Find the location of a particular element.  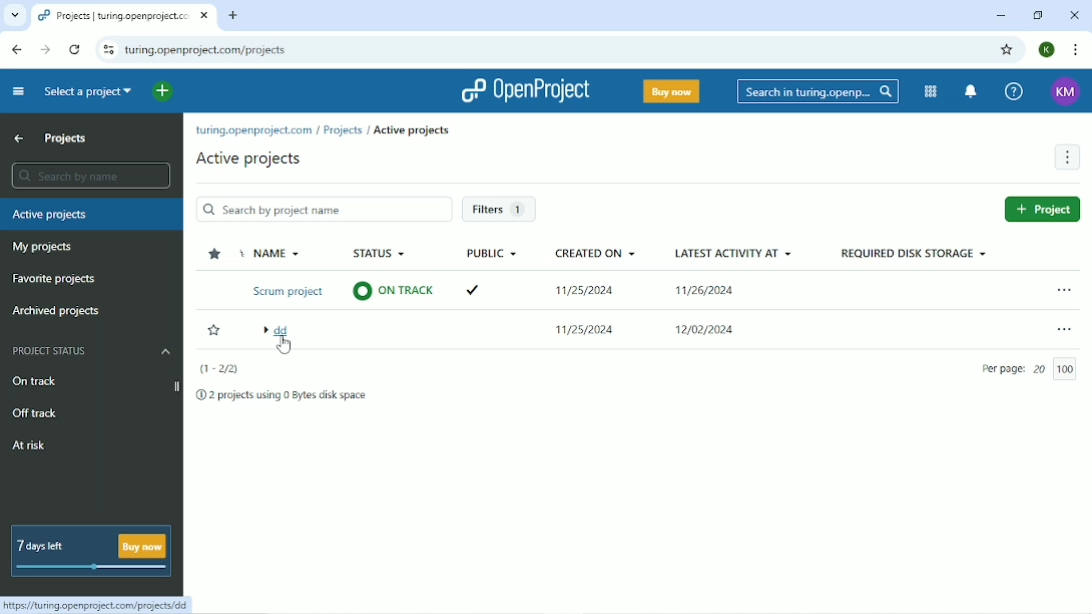

Search is located at coordinates (816, 92).